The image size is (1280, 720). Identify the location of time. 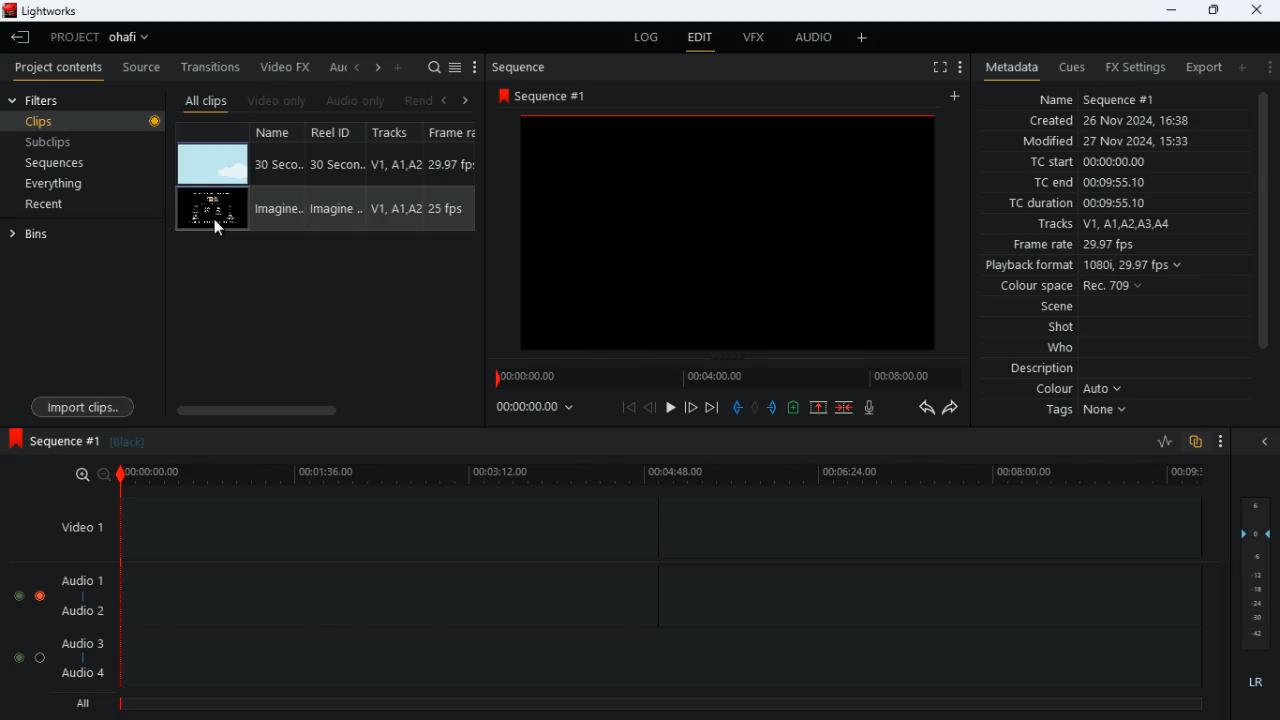
(539, 408).